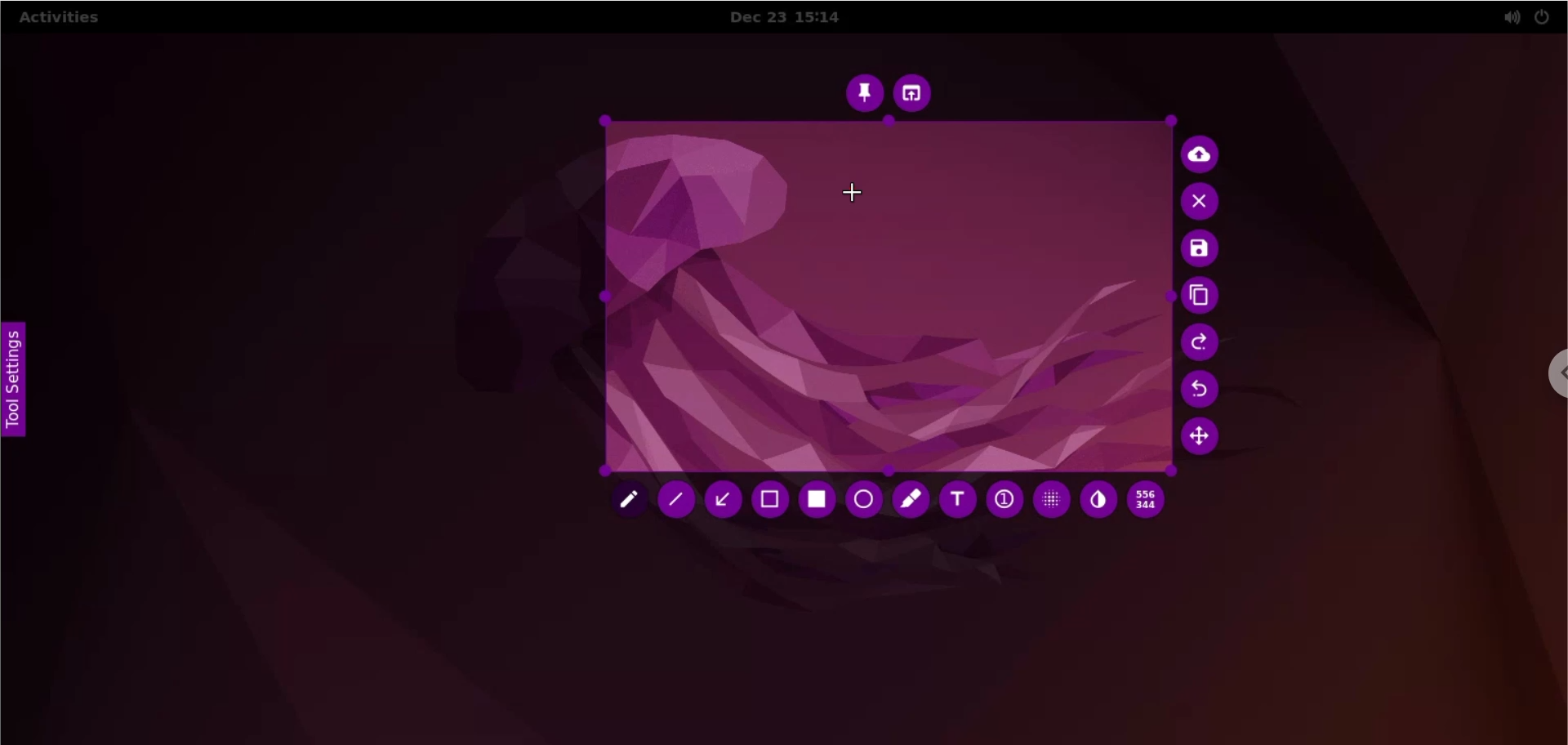 The height and width of the screenshot is (745, 1568). What do you see at coordinates (1203, 440) in the screenshot?
I see `move selection` at bounding box center [1203, 440].